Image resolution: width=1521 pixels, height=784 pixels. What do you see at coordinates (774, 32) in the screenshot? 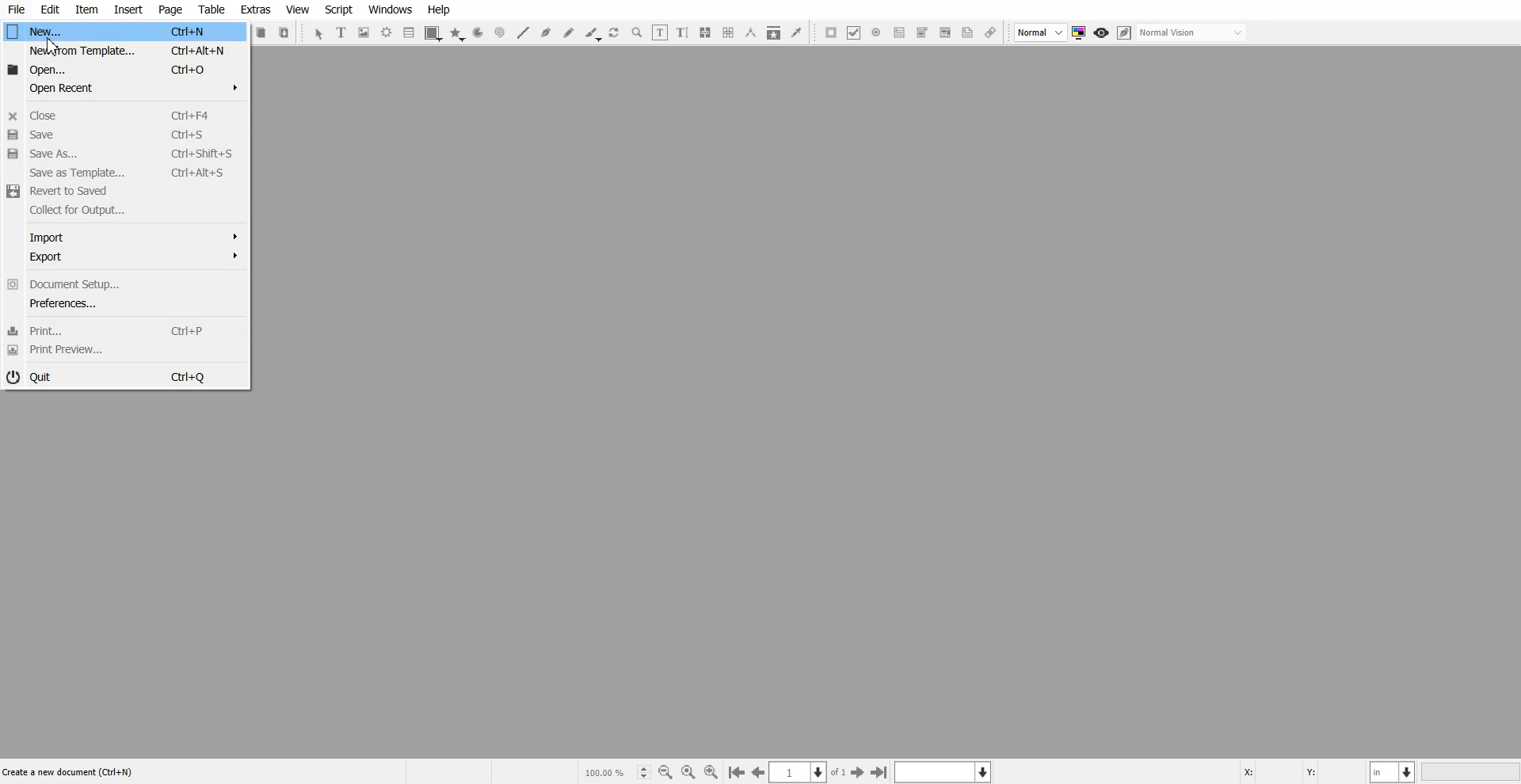
I see `Copy Item Properties` at bounding box center [774, 32].